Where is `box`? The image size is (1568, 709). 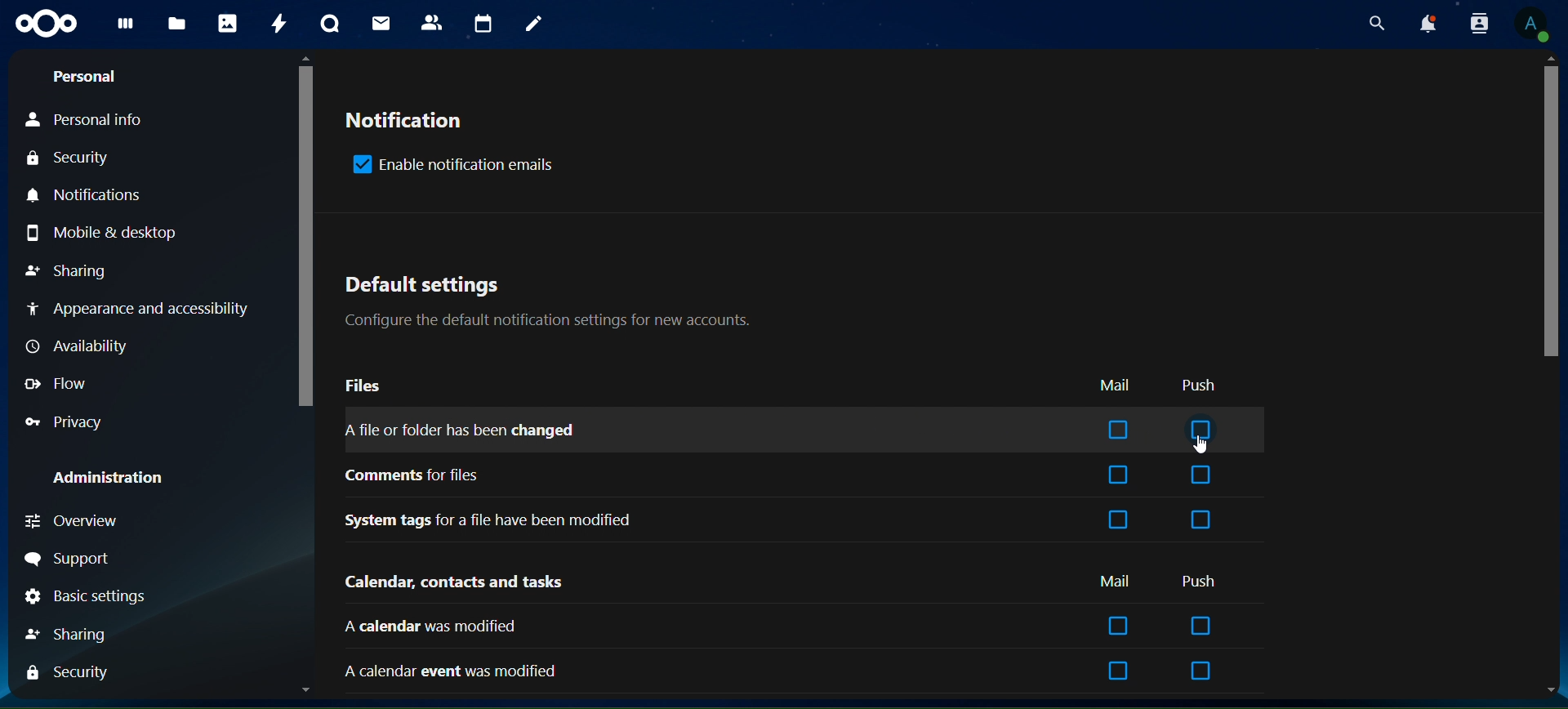
box is located at coordinates (1204, 430).